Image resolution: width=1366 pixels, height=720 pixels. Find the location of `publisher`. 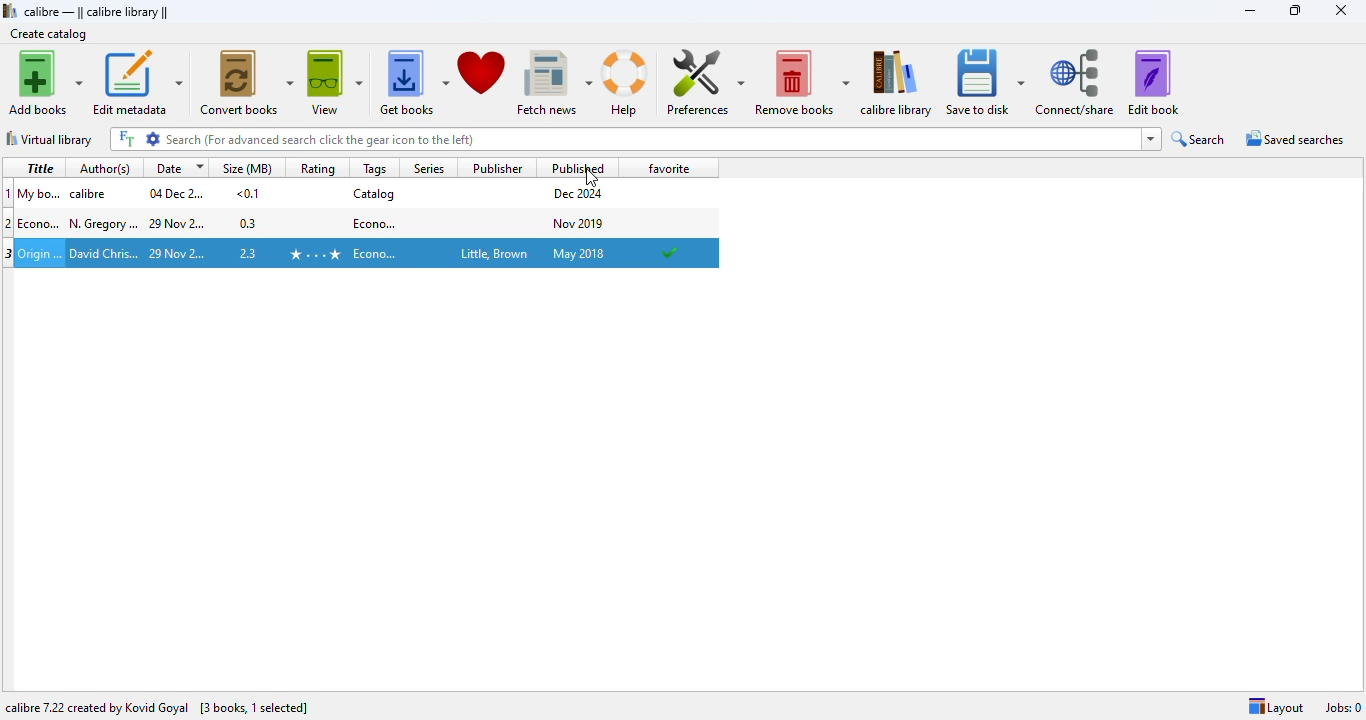

publisher is located at coordinates (493, 253).